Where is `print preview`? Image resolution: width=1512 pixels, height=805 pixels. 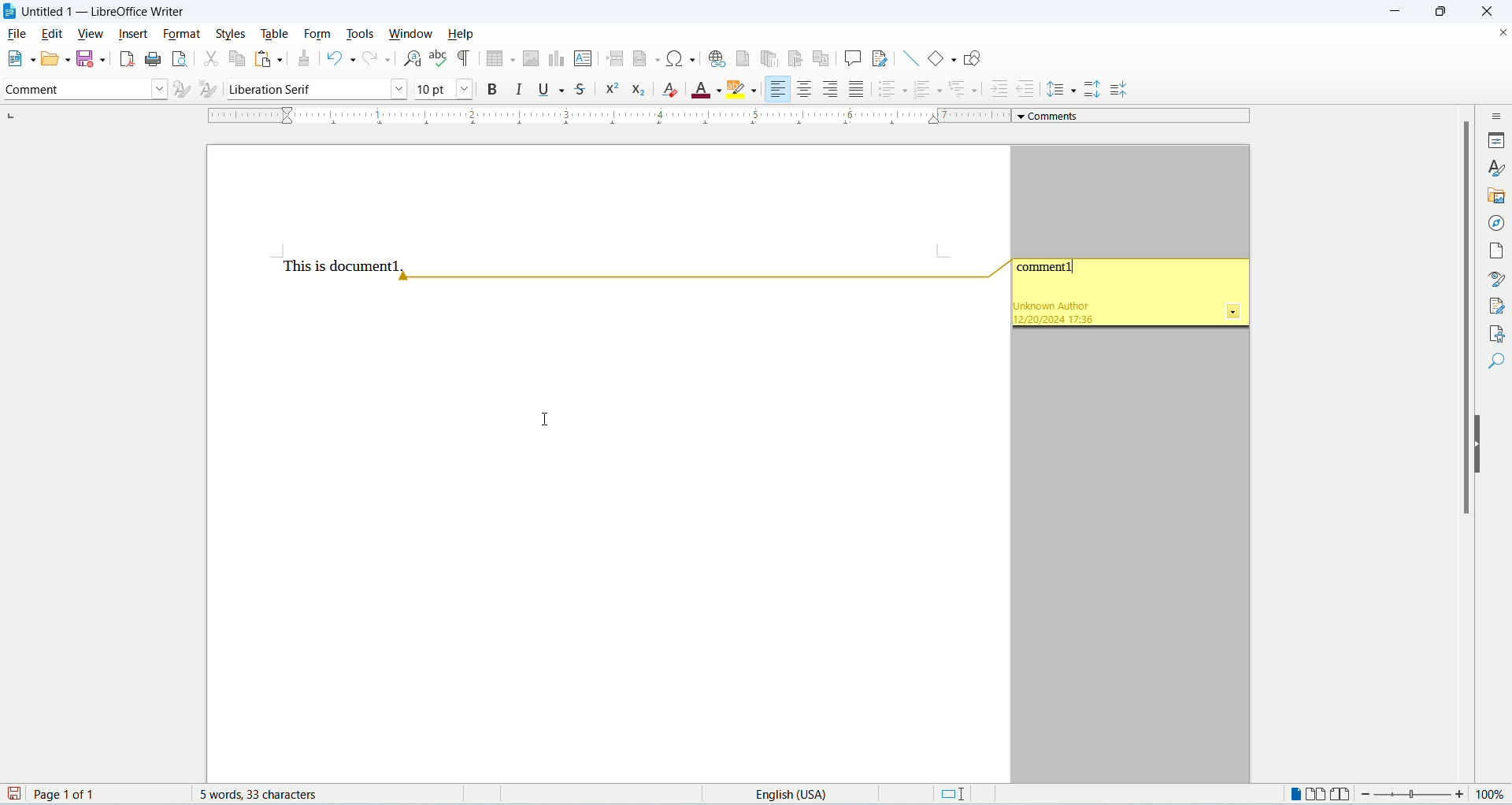 print preview is located at coordinates (177, 57).